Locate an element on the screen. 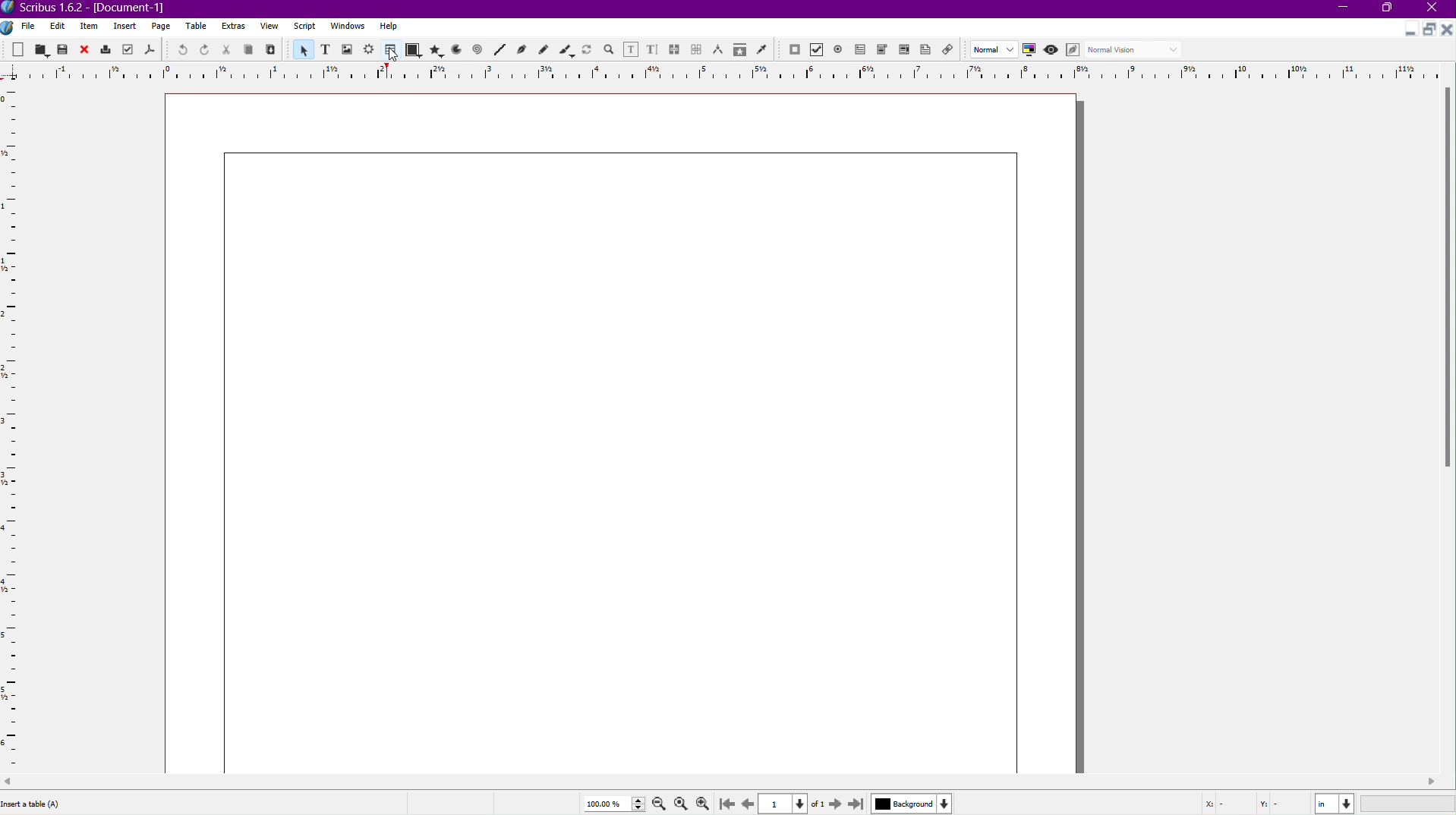  Unlink Text Frames is located at coordinates (697, 49).